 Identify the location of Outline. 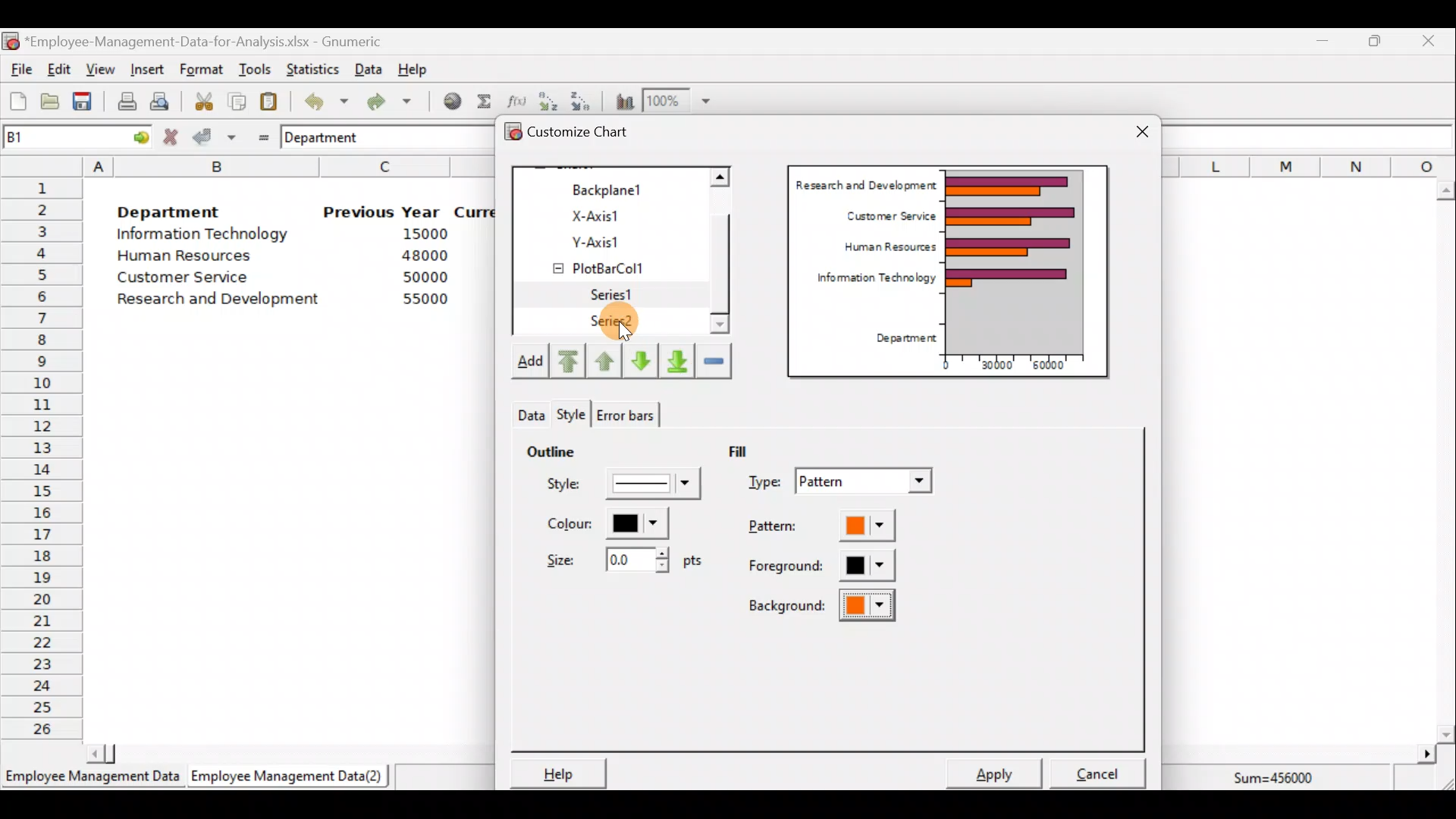
(551, 449).